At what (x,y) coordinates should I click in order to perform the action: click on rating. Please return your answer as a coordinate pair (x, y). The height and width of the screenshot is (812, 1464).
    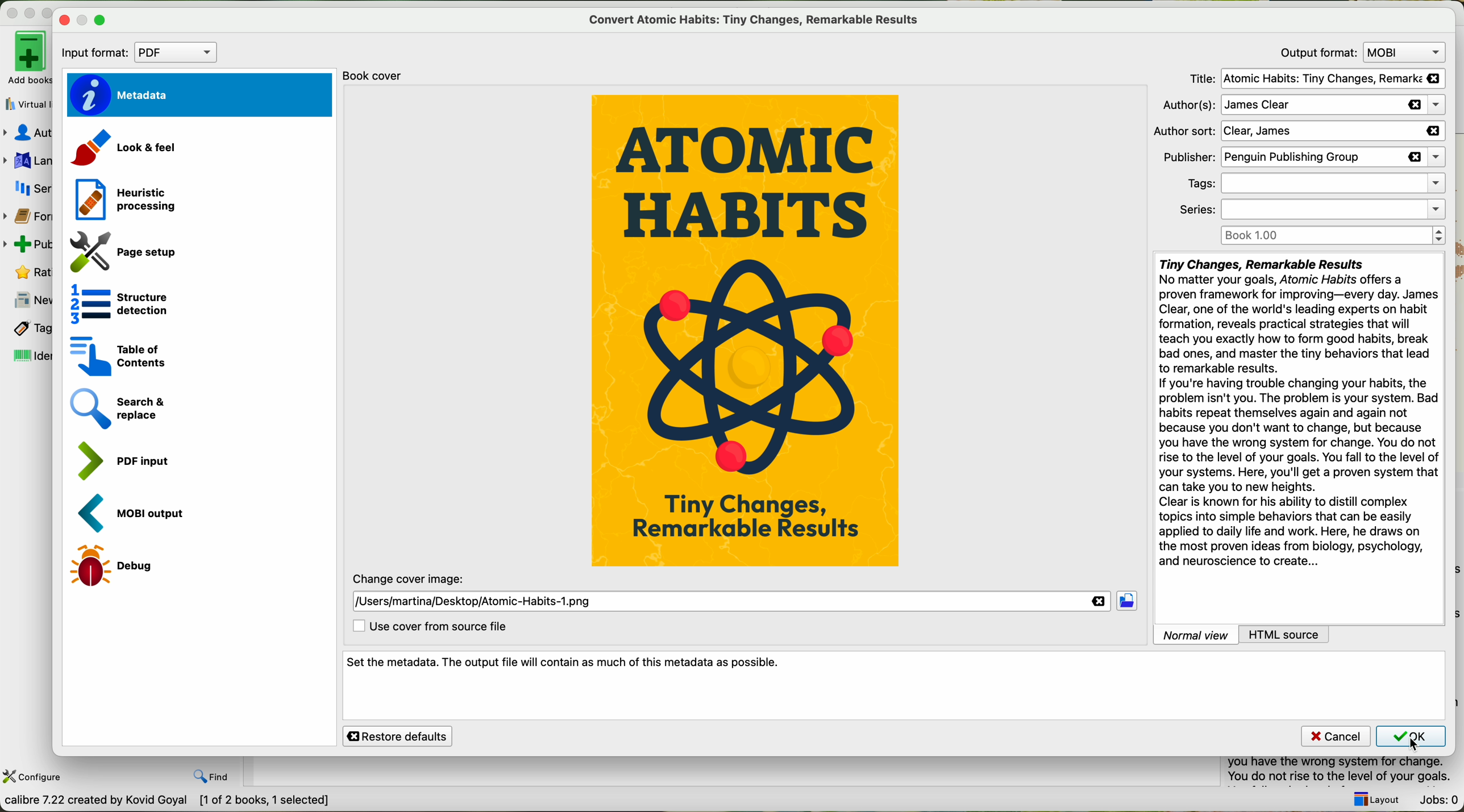
    Looking at the image, I should click on (31, 271).